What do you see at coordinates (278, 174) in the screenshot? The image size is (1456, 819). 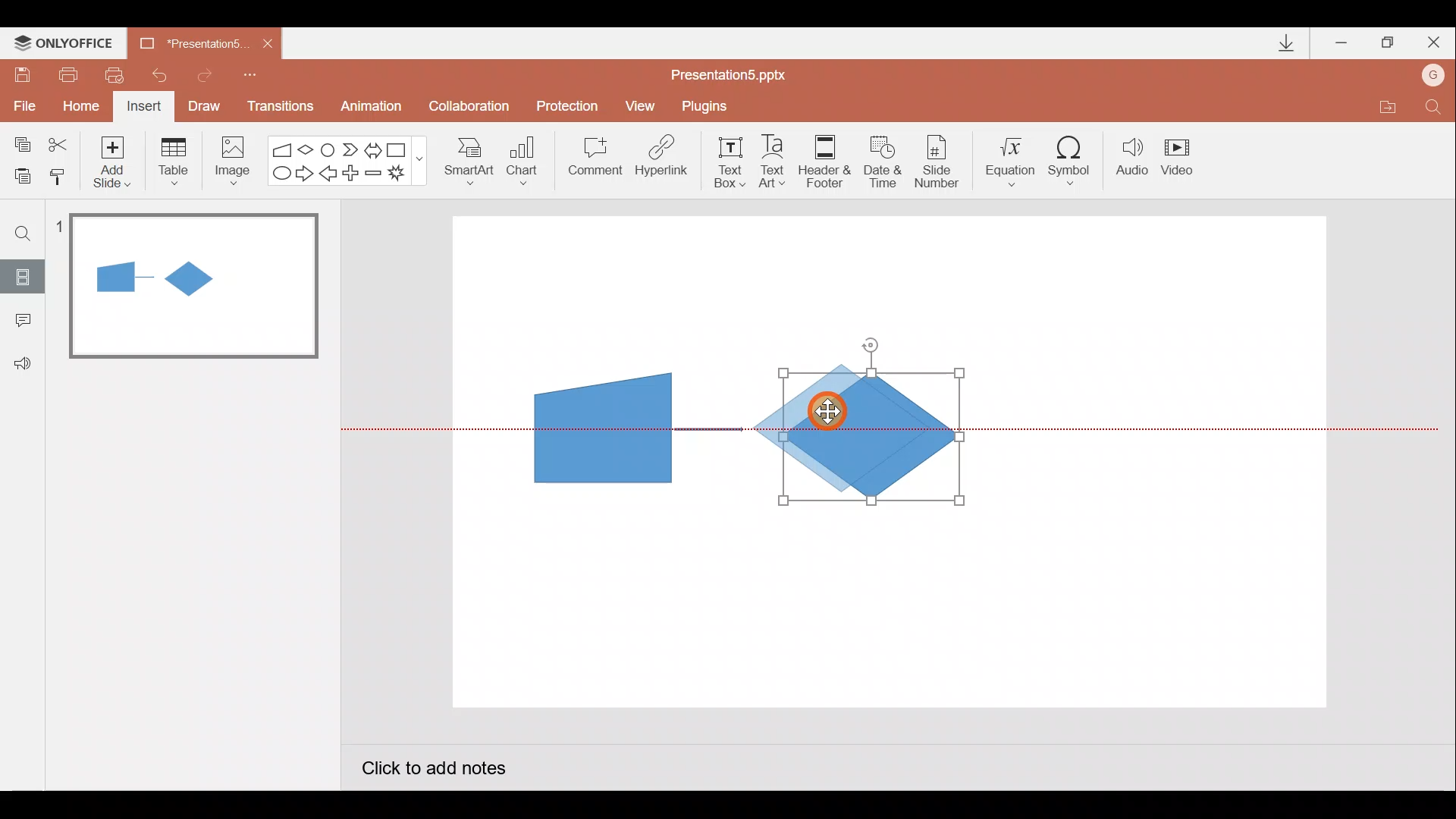 I see `Ellipse` at bounding box center [278, 174].